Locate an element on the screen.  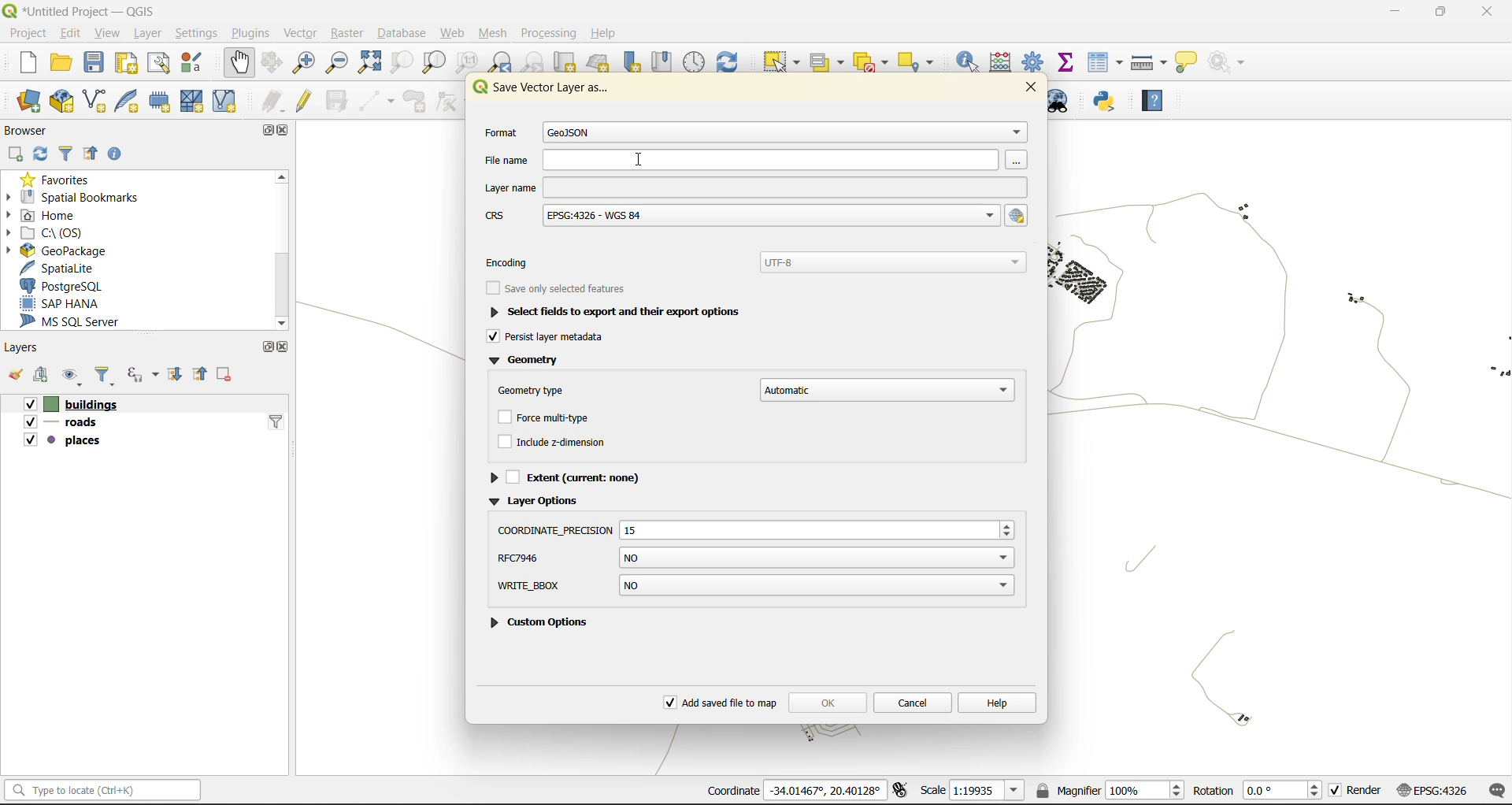
zoom full is located at coordinates (369, 62).